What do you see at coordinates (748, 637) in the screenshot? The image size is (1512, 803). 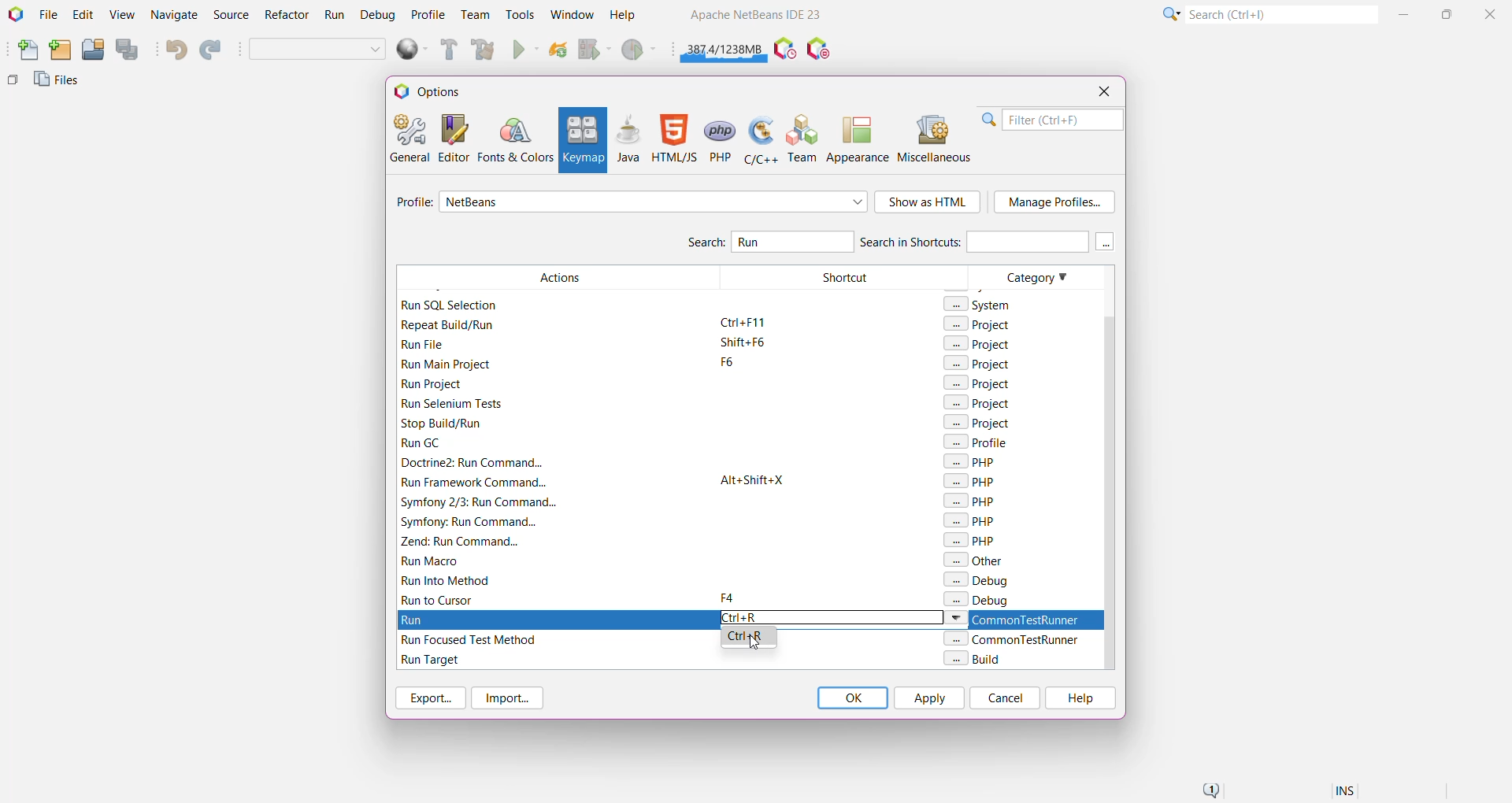 I see `Select the available shortcut option to set` at bounding box center [748, 637].